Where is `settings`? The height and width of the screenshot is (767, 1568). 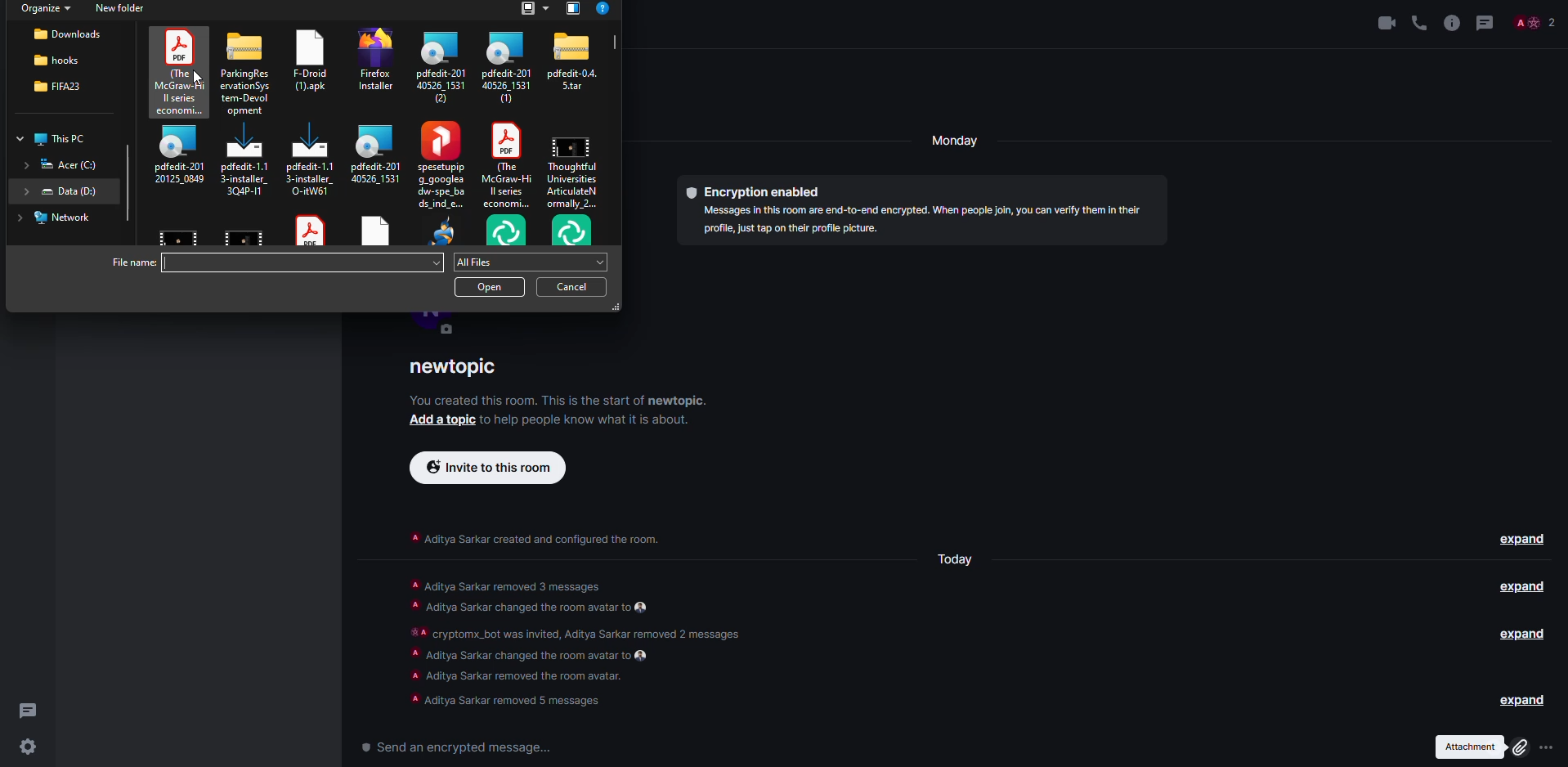
settings is located at coordinates (31, 747).